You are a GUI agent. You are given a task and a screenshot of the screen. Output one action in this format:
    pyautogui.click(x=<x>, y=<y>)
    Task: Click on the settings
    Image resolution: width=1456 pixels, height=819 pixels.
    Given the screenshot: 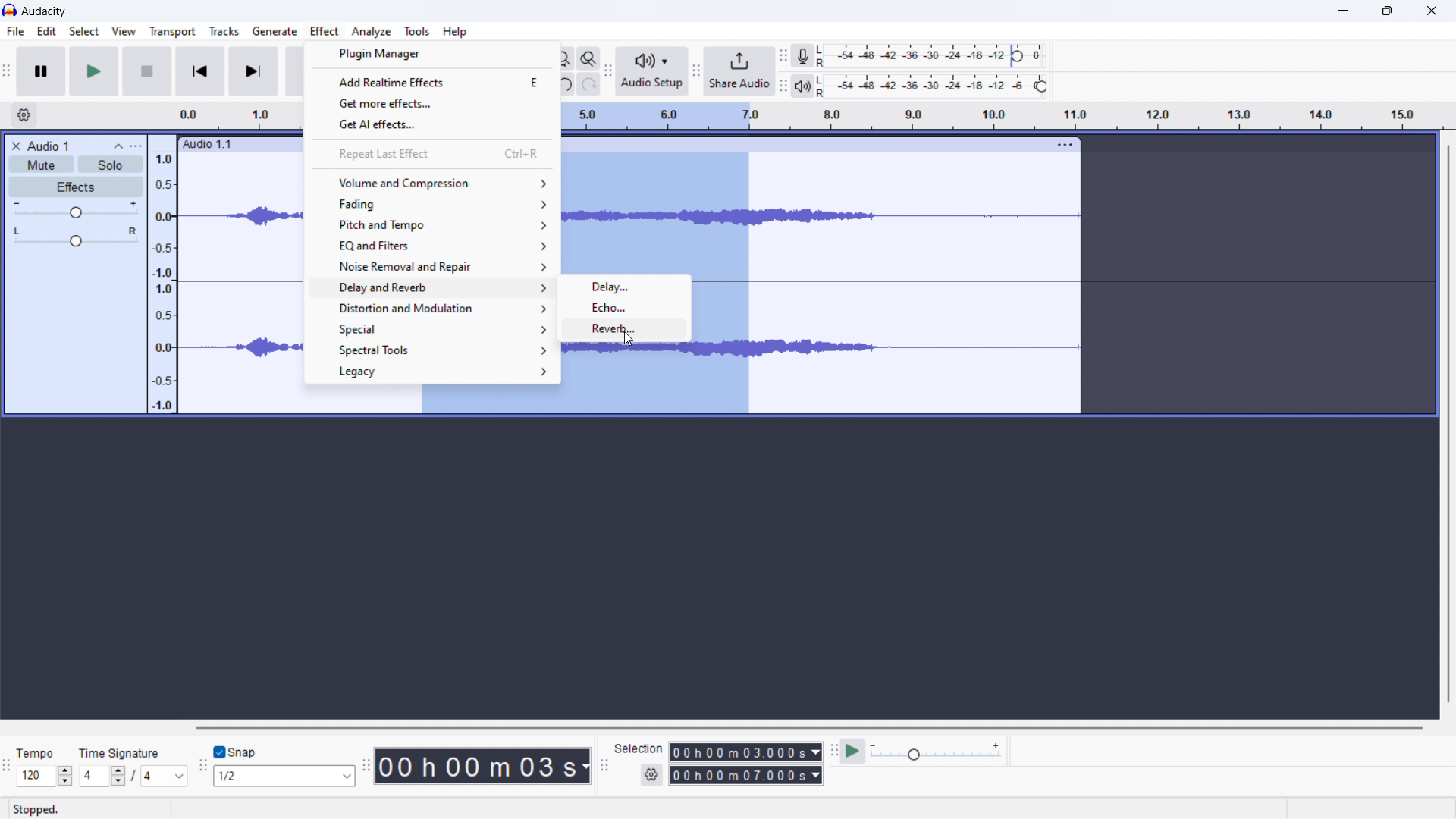 What is the action you would take?
    pyautogui.click(x=651, y=776)
    